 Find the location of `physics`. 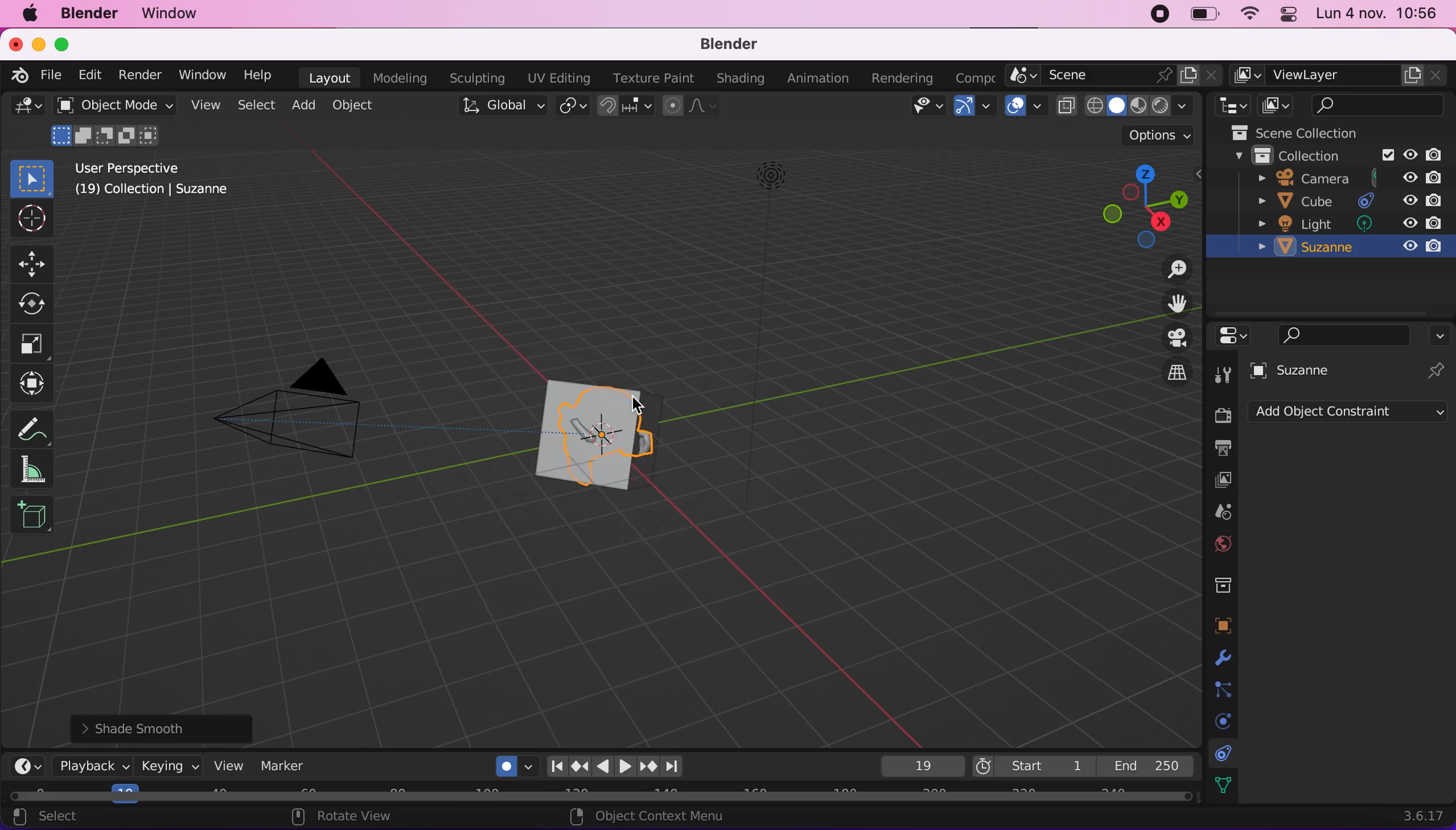

physics is located at coordinates (1219, 719).